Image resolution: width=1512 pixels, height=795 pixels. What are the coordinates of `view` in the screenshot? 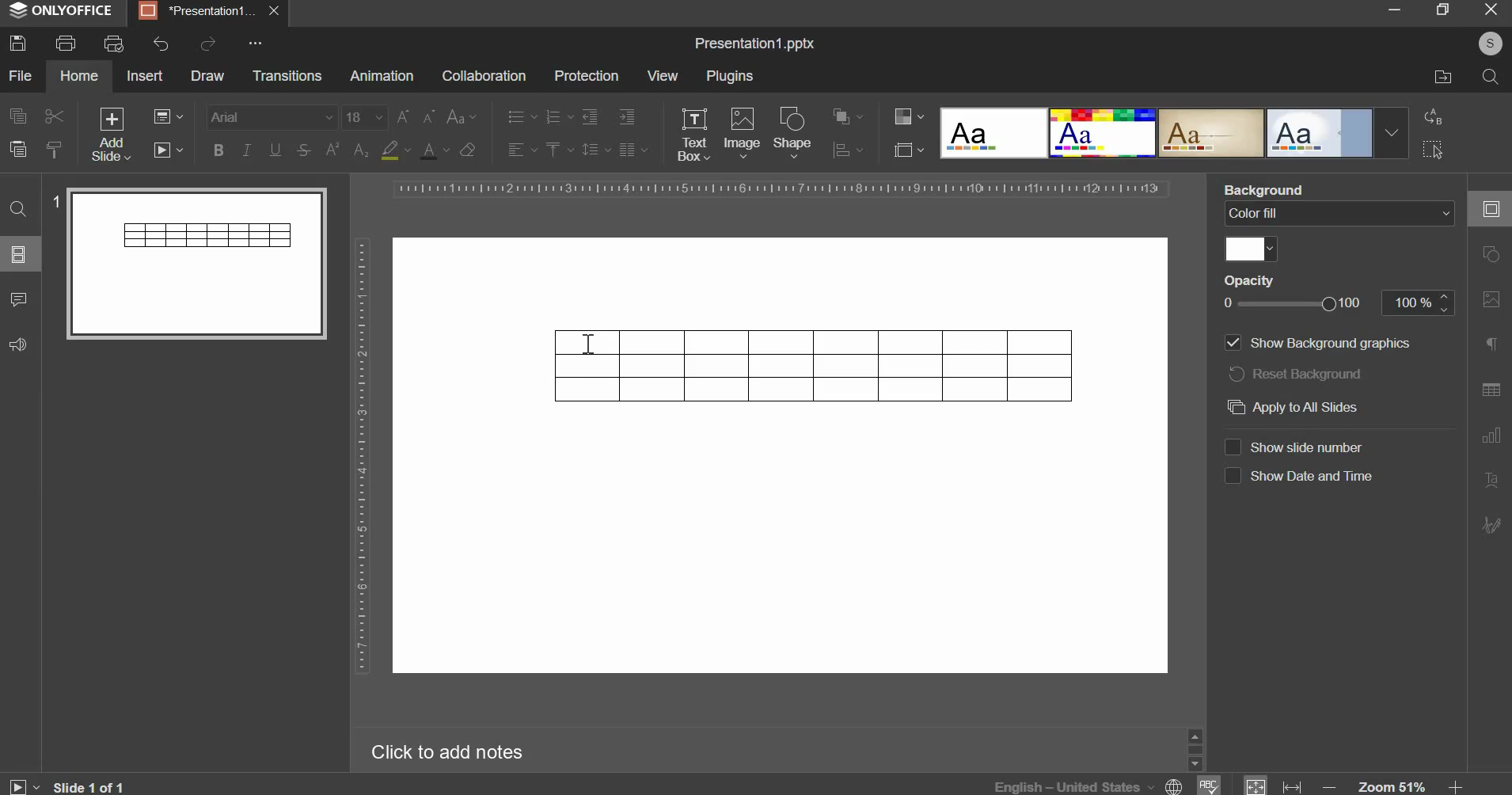 It's located at (663, 75).